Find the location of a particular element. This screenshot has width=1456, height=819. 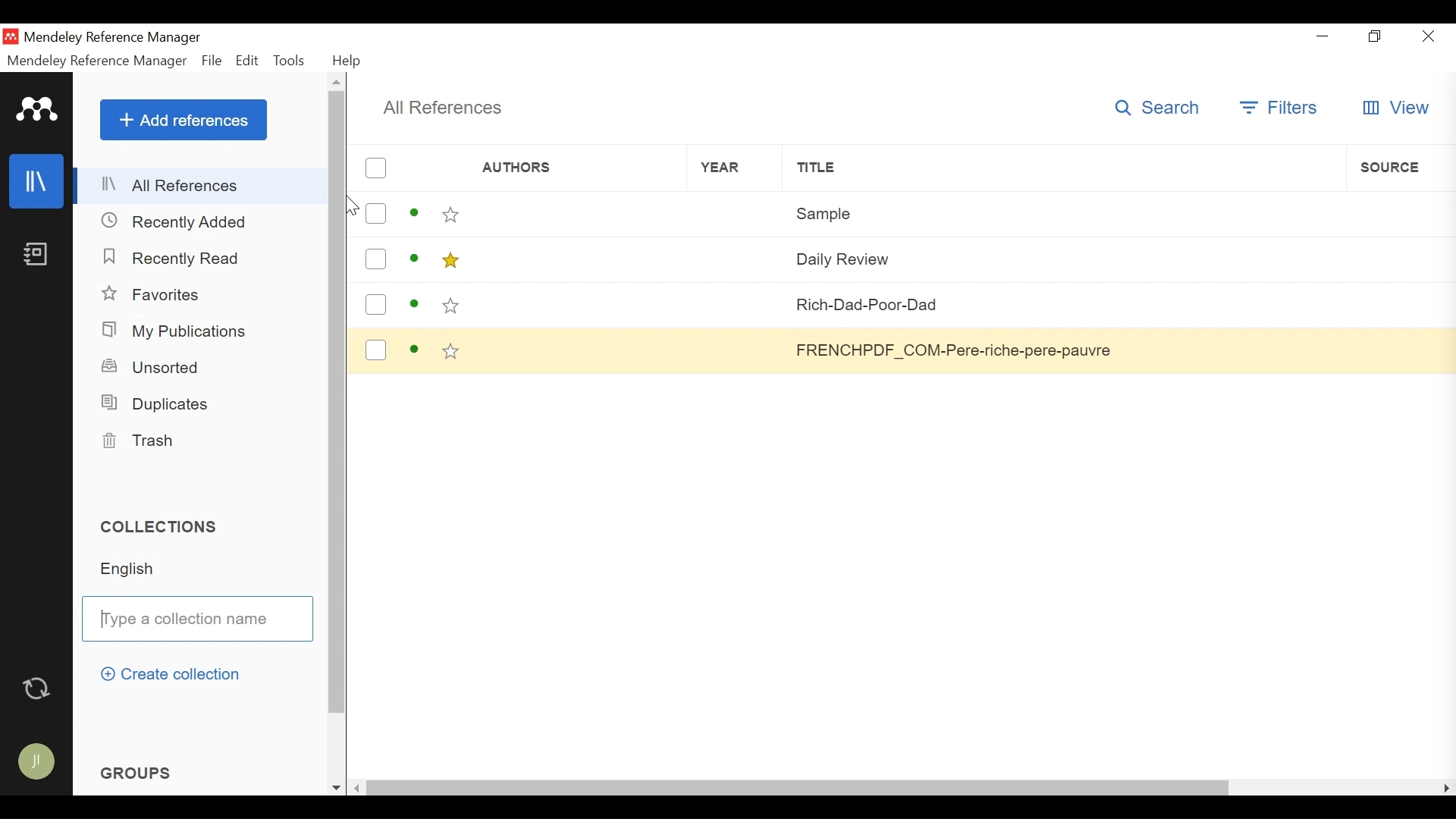

FRENCHPDF_COM-Pere-riche-pere-pauvre is located at coordinates (1062, 350).